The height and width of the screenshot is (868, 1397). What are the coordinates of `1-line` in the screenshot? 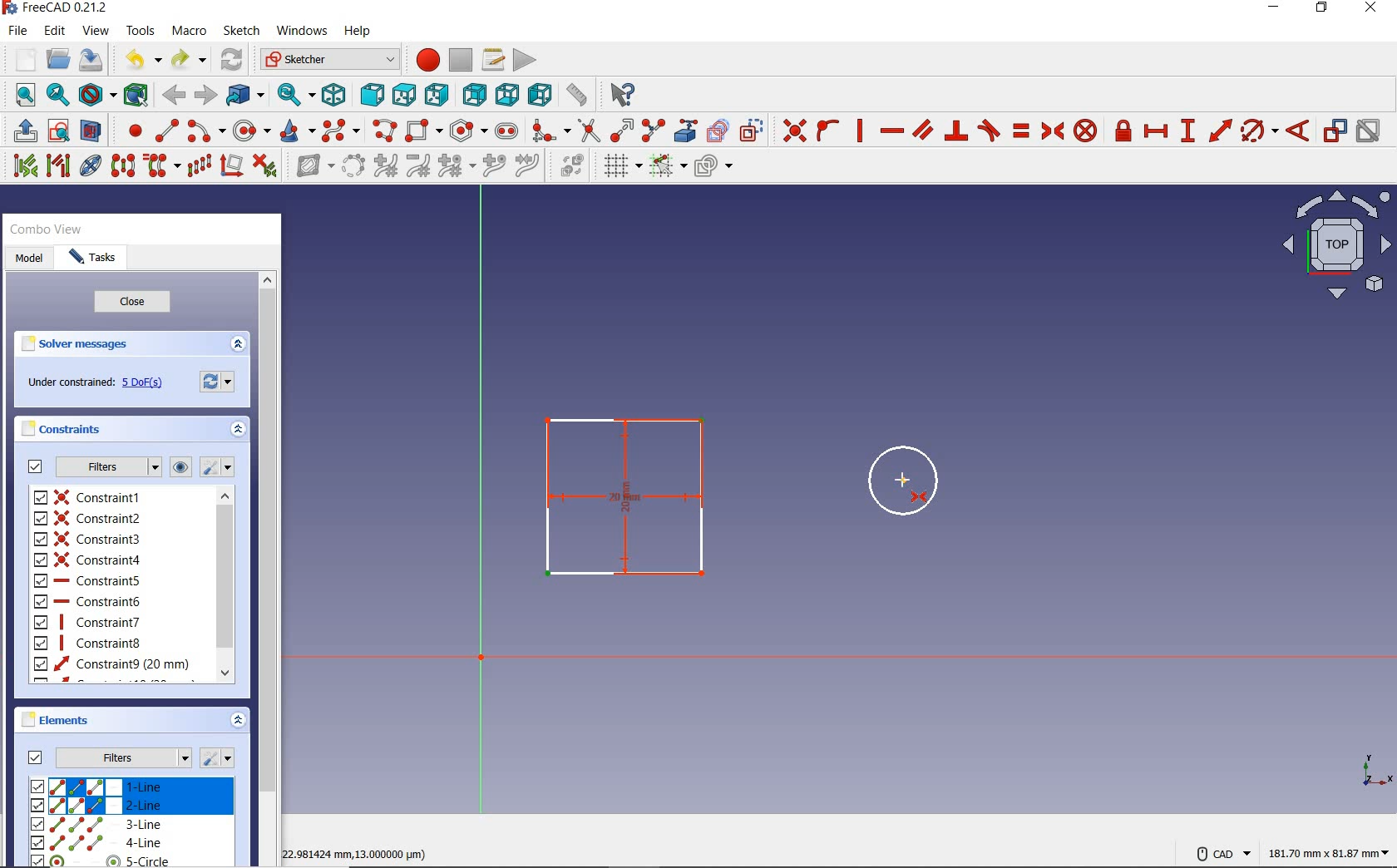 It's located at (130, 787).